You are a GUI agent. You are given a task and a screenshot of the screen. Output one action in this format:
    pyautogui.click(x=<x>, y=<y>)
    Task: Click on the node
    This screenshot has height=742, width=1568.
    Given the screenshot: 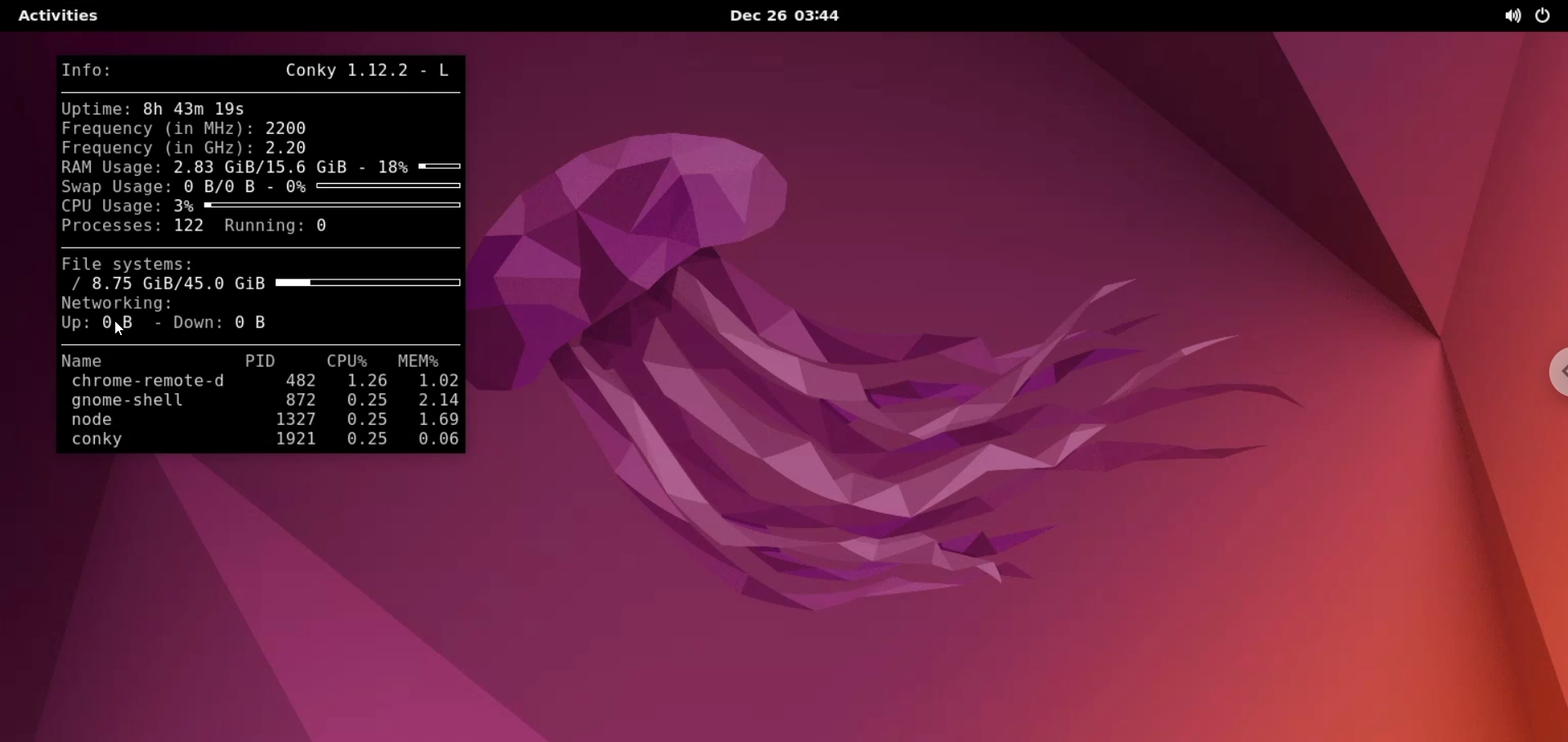 What is the action you would take?
    pyautogui.click(x=142, y=422)
    